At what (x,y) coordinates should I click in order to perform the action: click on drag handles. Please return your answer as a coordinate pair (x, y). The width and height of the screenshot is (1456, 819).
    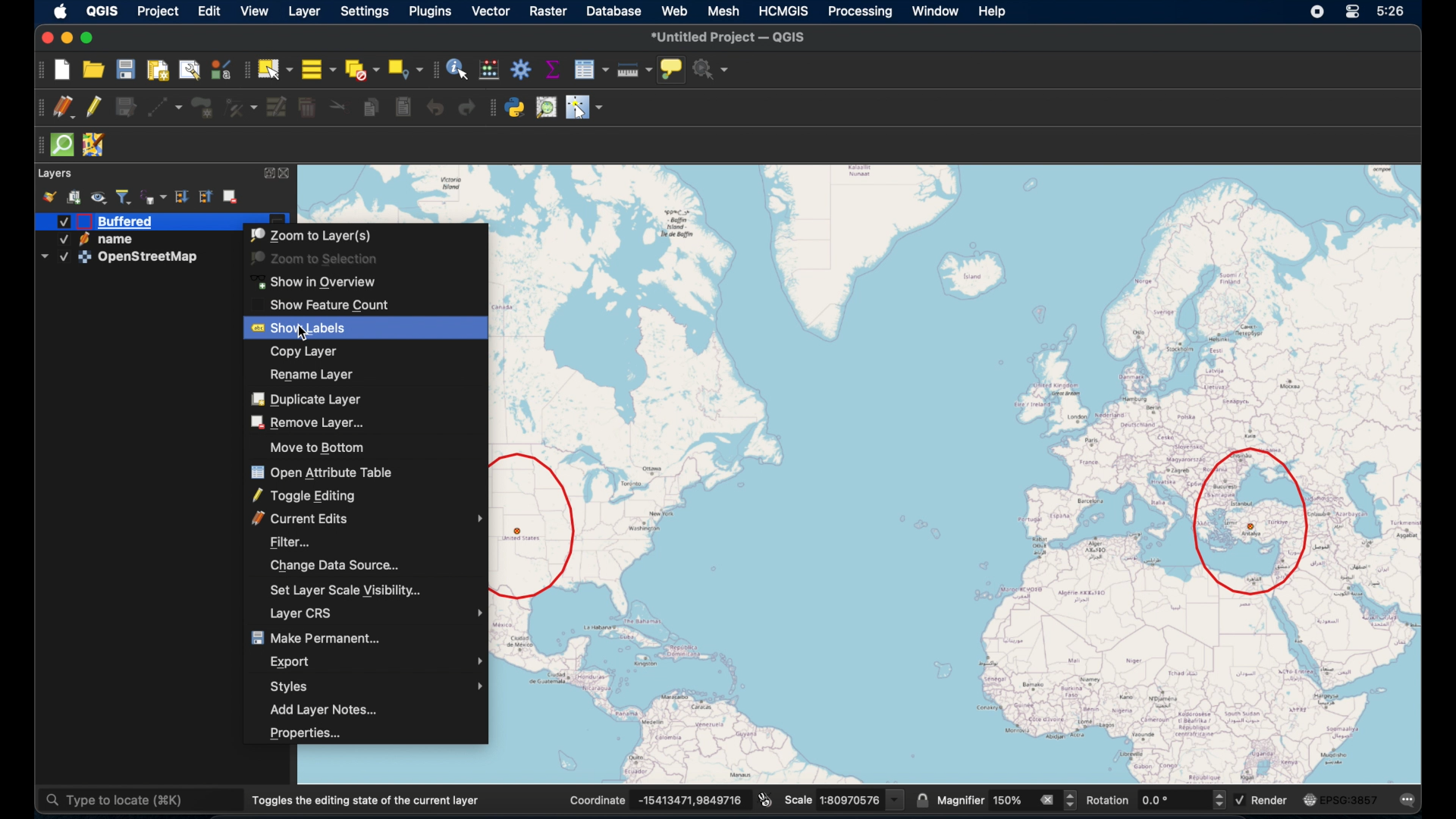
    Looking at the image, I should click on (245, 71).